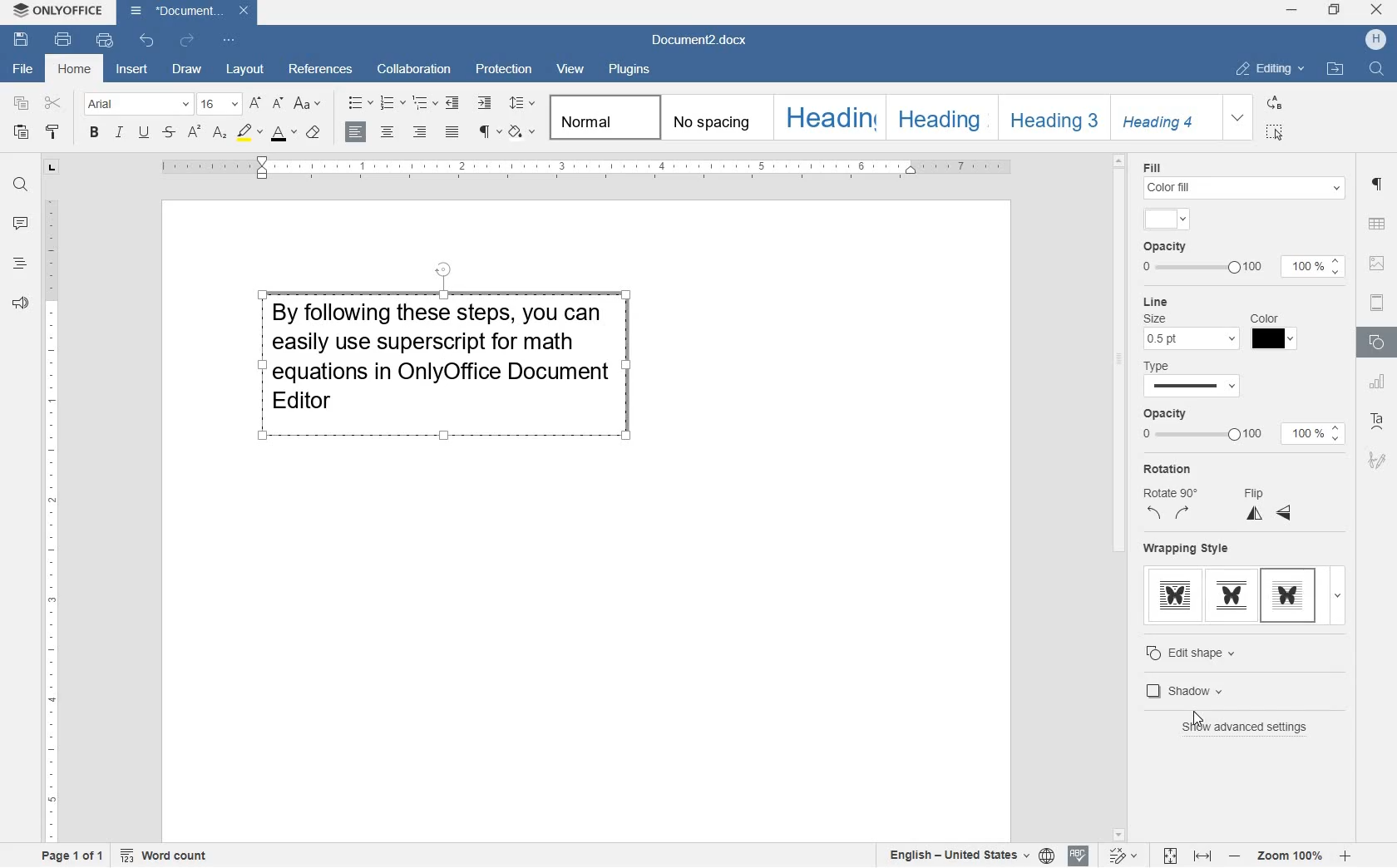 The width and height of the screenshot is (1397, 868). Describe the element at coordinates (53, 132) in the screenshot. I see `copy style` at that location.